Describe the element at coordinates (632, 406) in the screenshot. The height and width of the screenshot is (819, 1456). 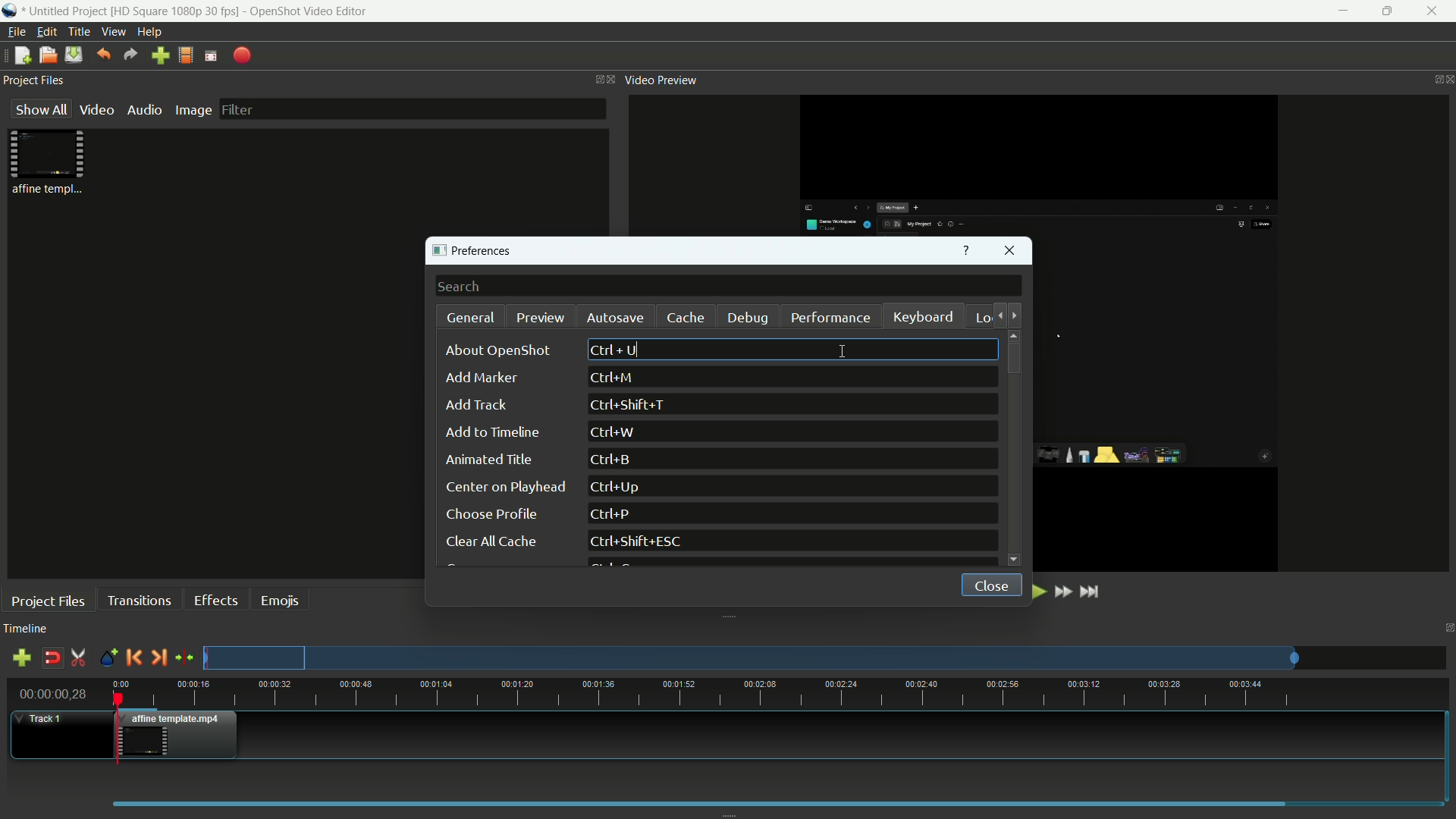
I see `keyboard shortcut` at that location.